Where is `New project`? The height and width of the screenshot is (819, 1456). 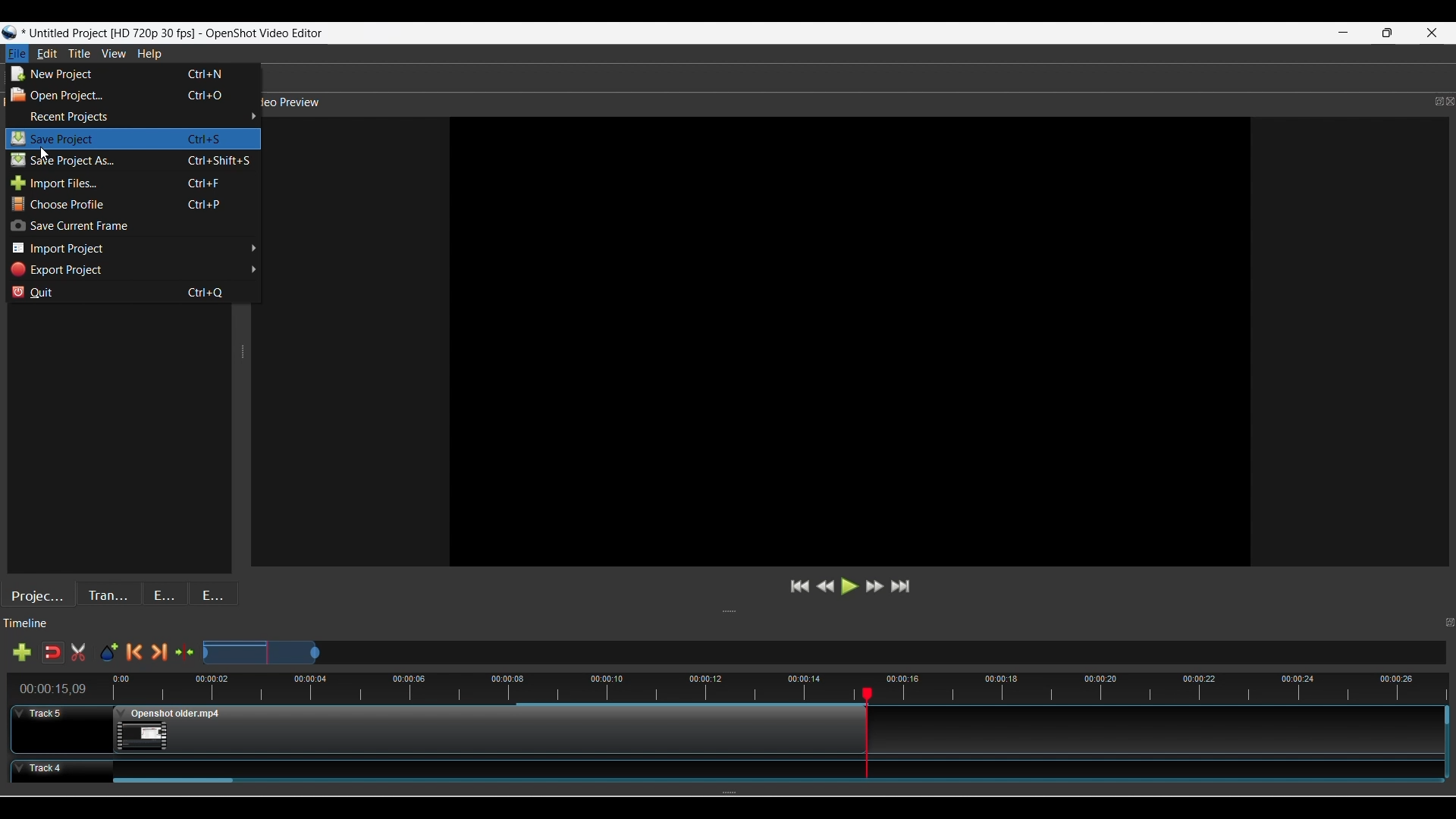
New project is located at coordinates (130, 74).